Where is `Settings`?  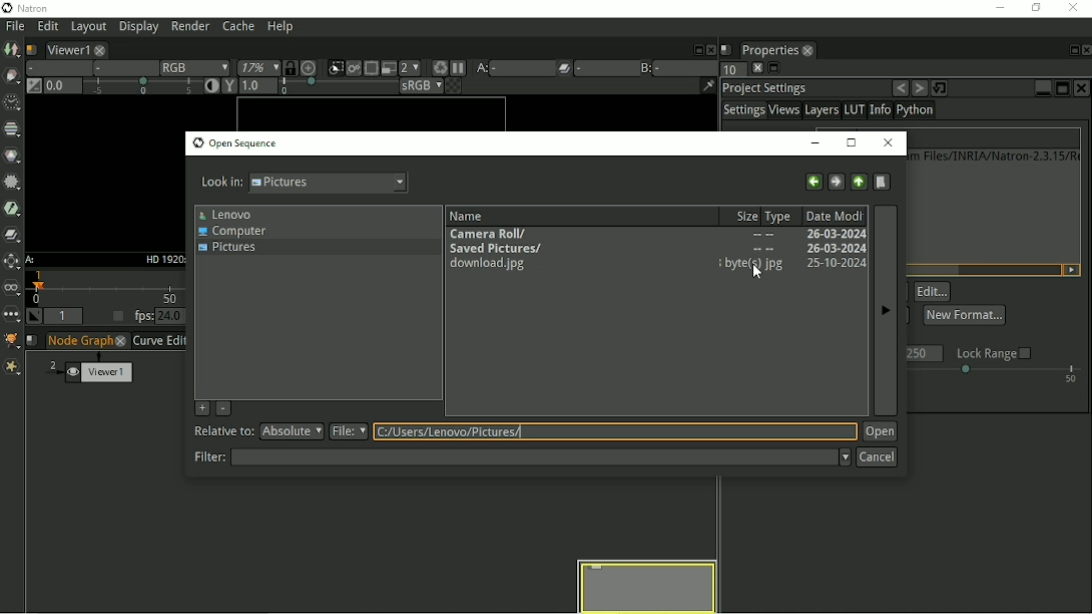 Settings is located at coordinates (743, 111).